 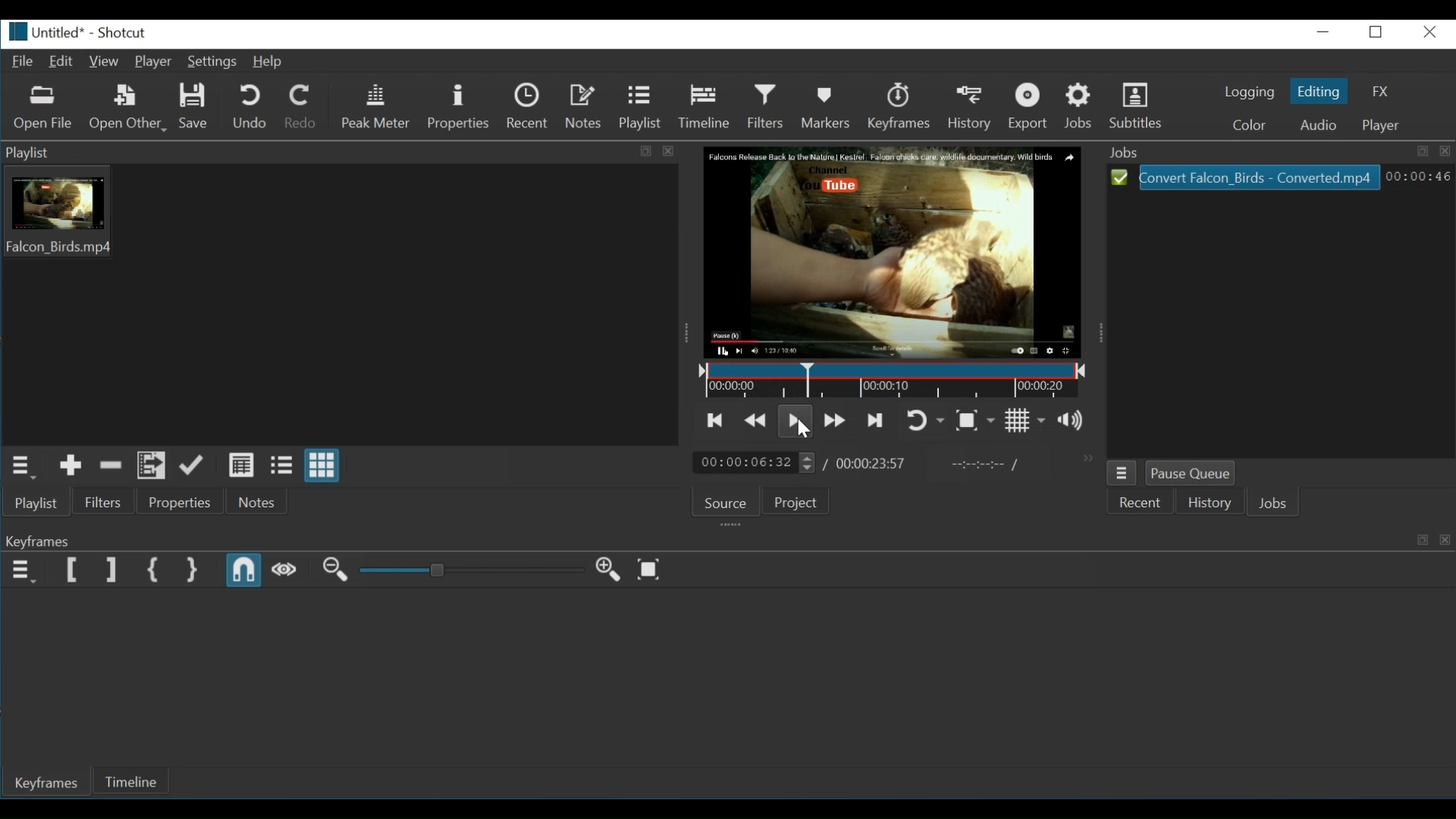 What do you see at coordinates (71, 569) in the screenshot?
I see `Set Keyframe Start` at bounding box center [71, 569].